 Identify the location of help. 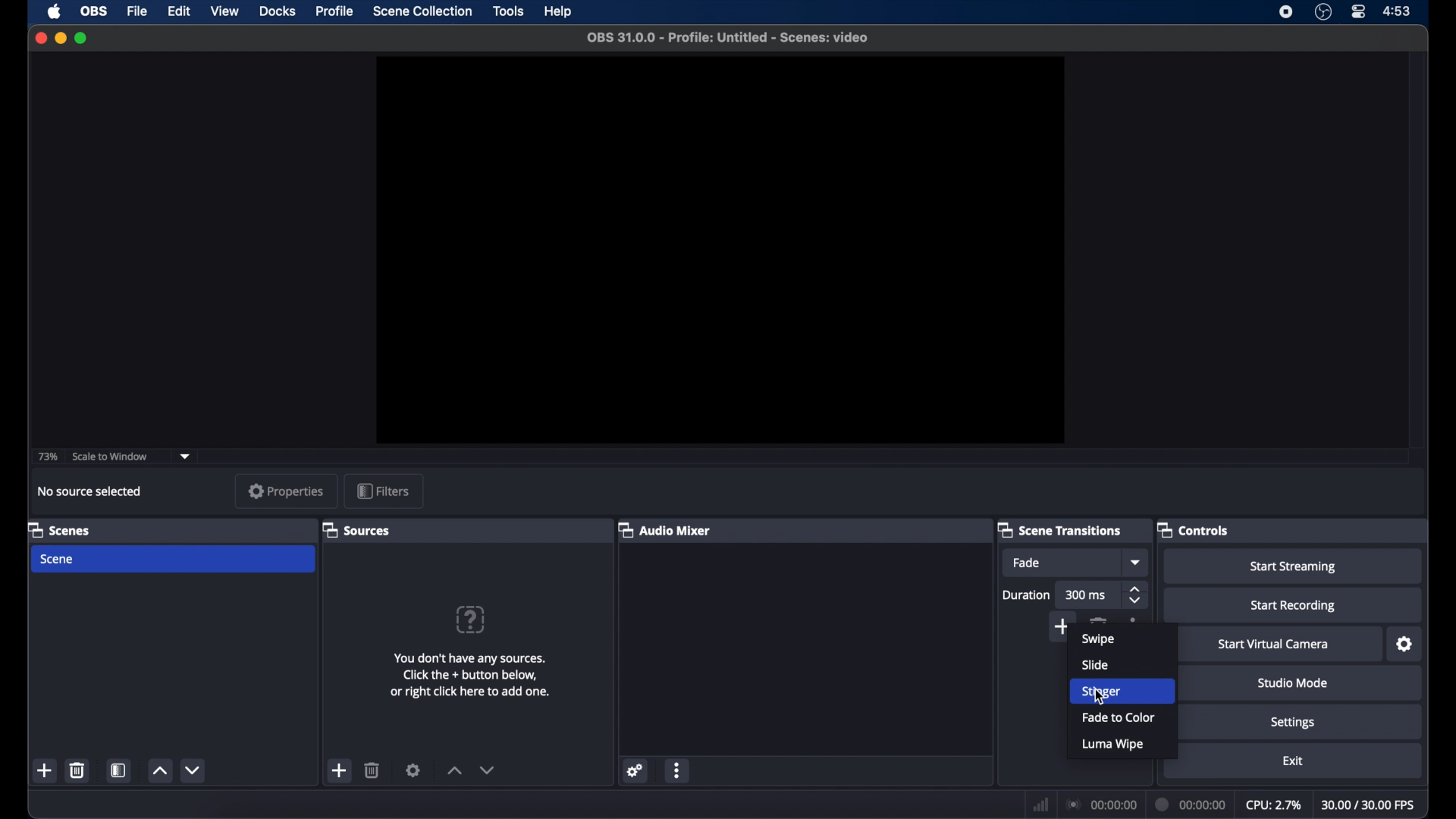
(560, 11).